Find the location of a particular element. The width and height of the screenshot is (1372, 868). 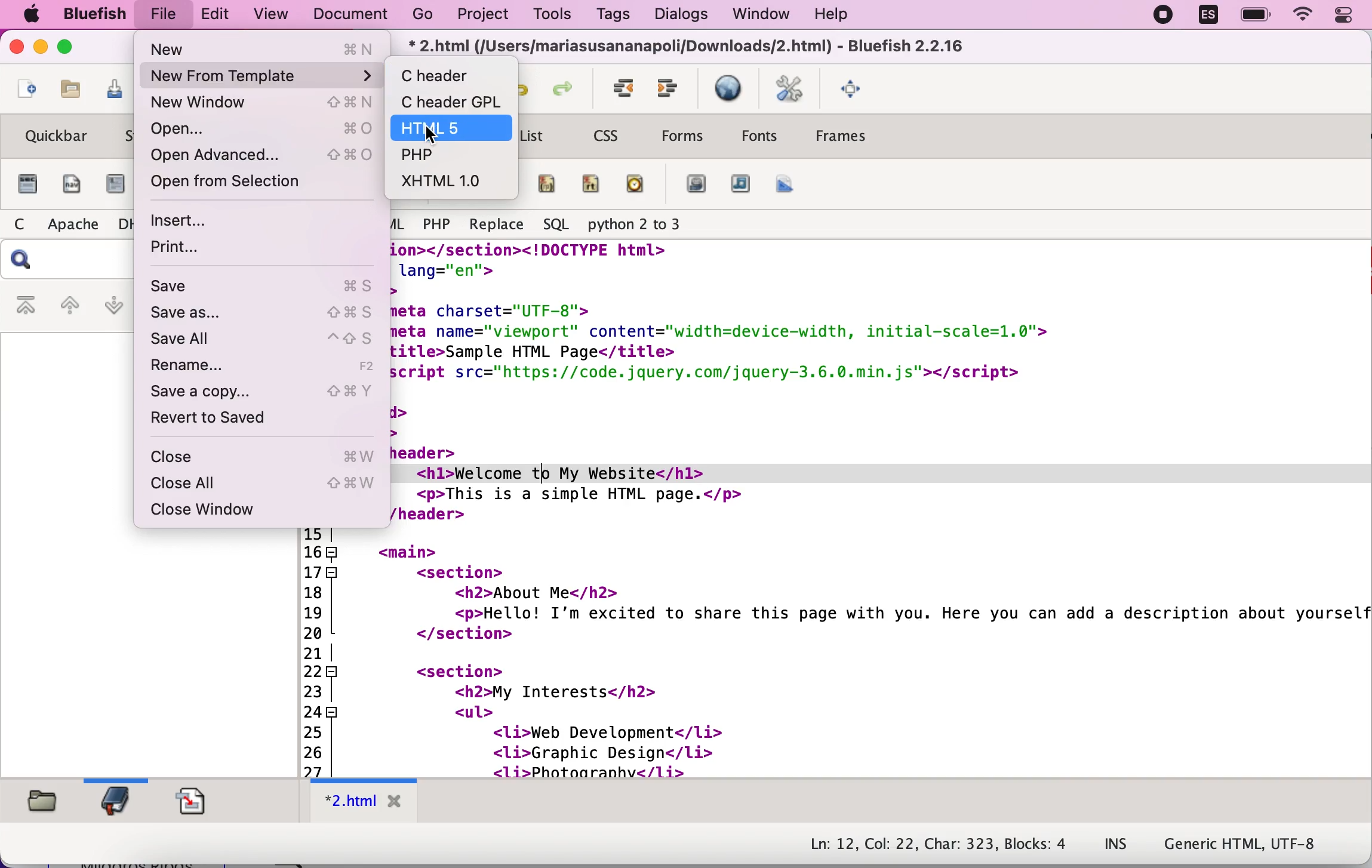

project is located at coordinates (485, 17).